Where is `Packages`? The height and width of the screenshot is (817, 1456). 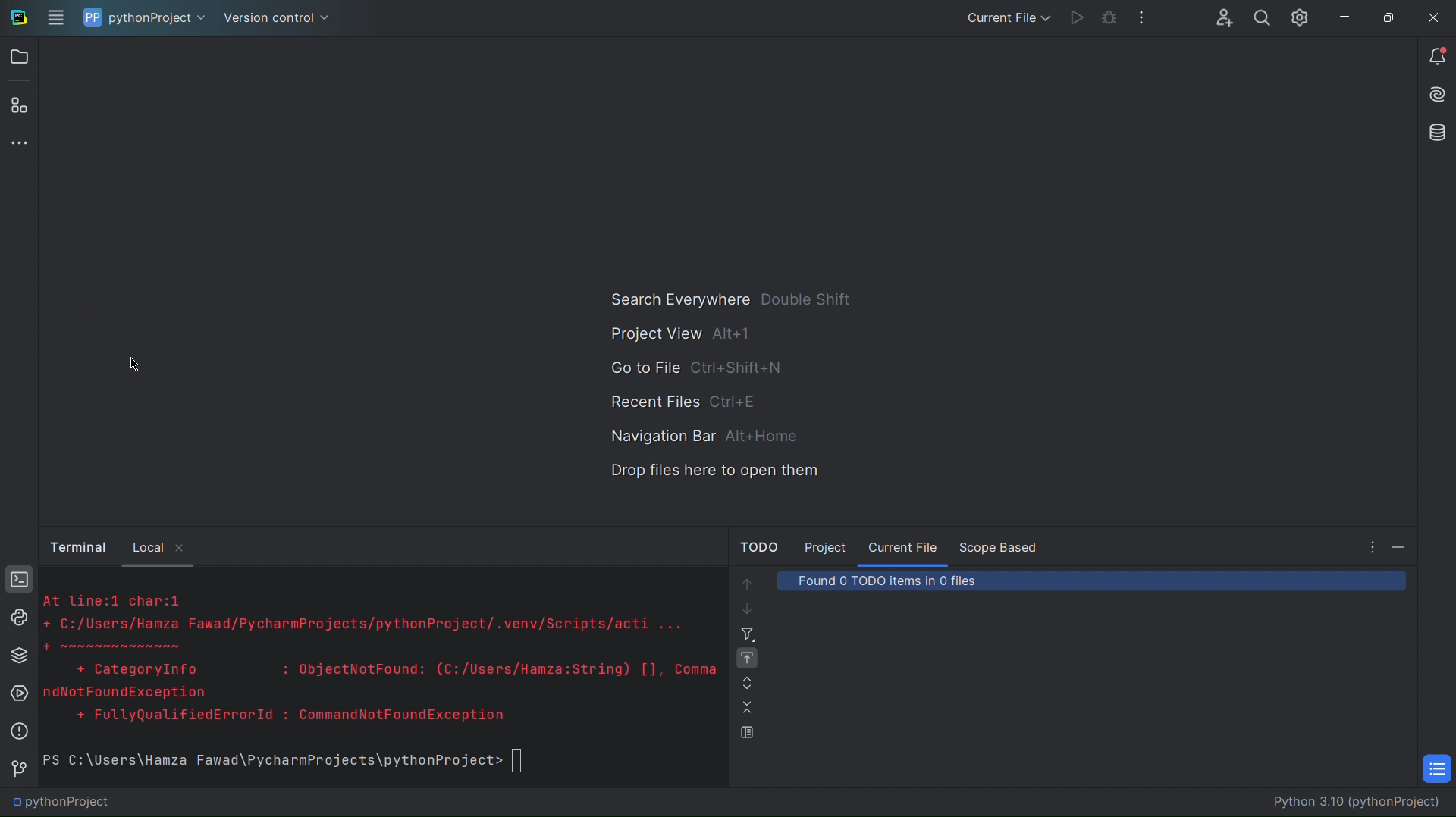 Packages is located at coordinates (17, 656).